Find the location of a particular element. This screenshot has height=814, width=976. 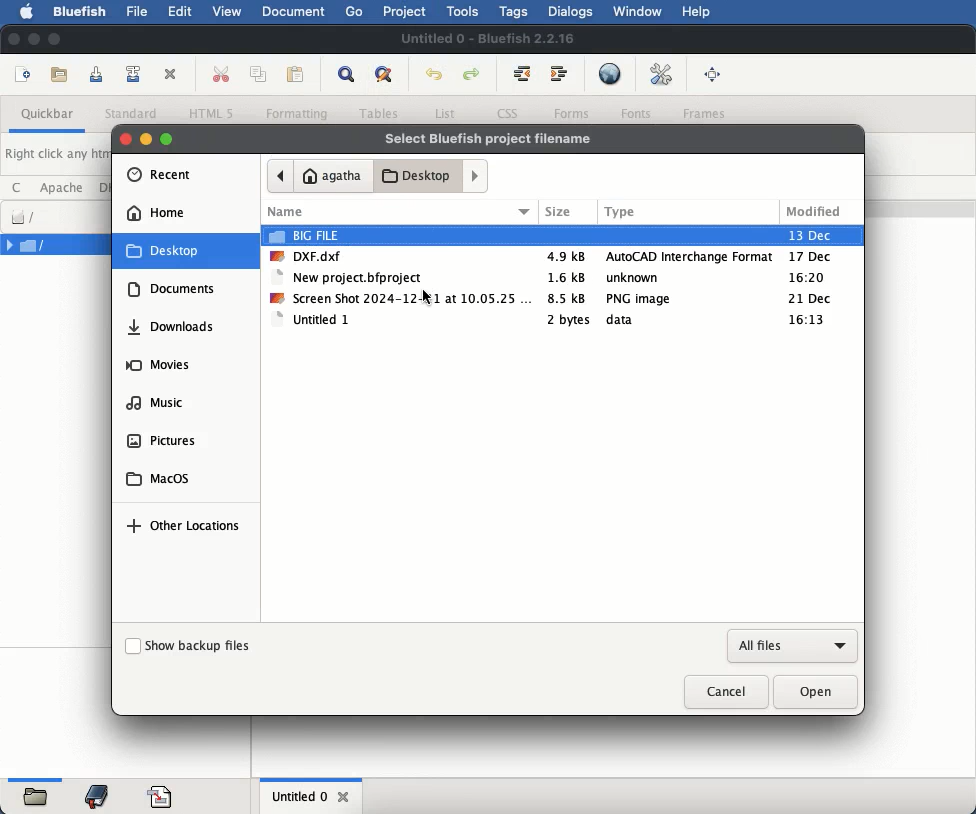

preview in browser is located at coordinates (610, 73).